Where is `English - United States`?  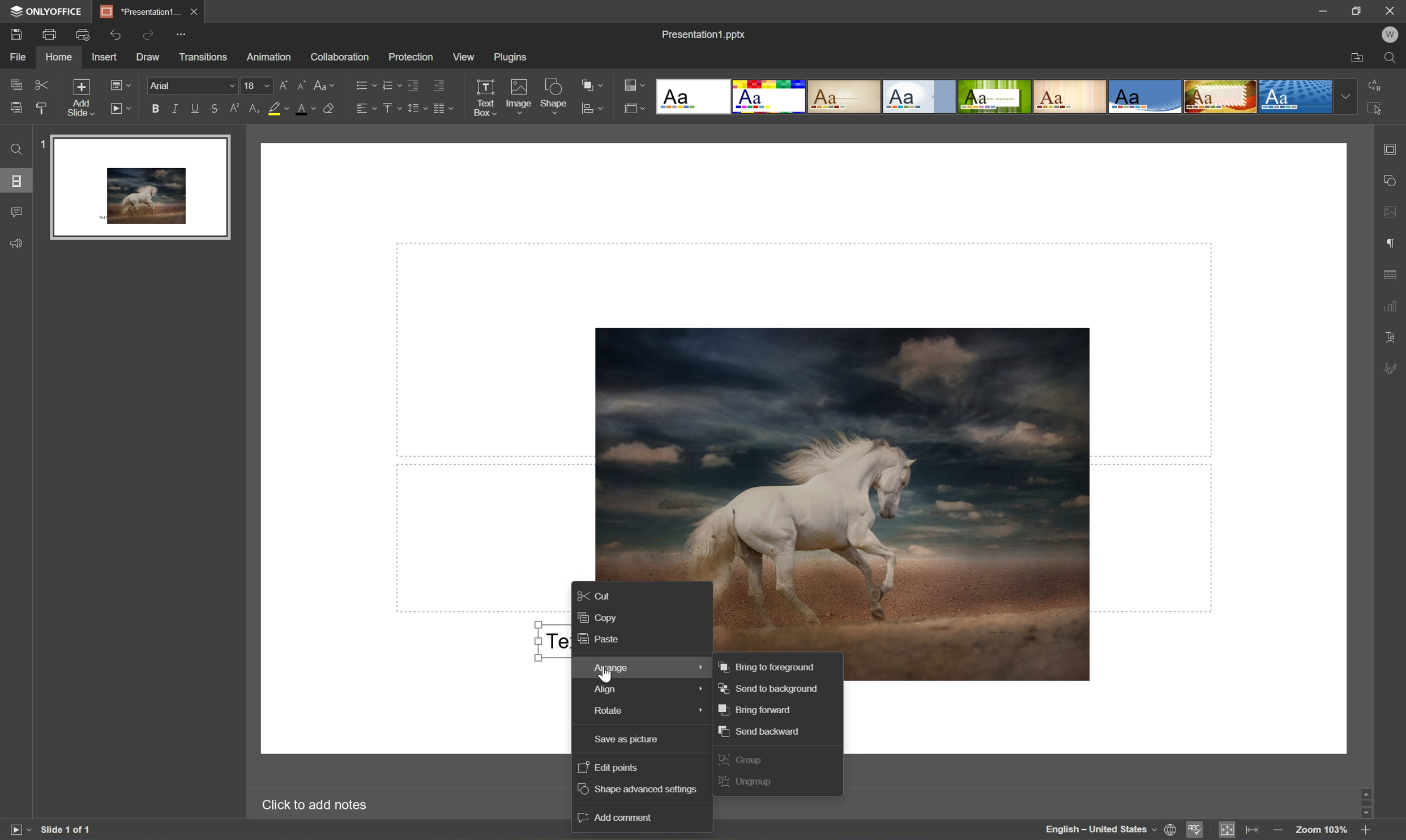
English - United States is located at coordinates (1100, 831).